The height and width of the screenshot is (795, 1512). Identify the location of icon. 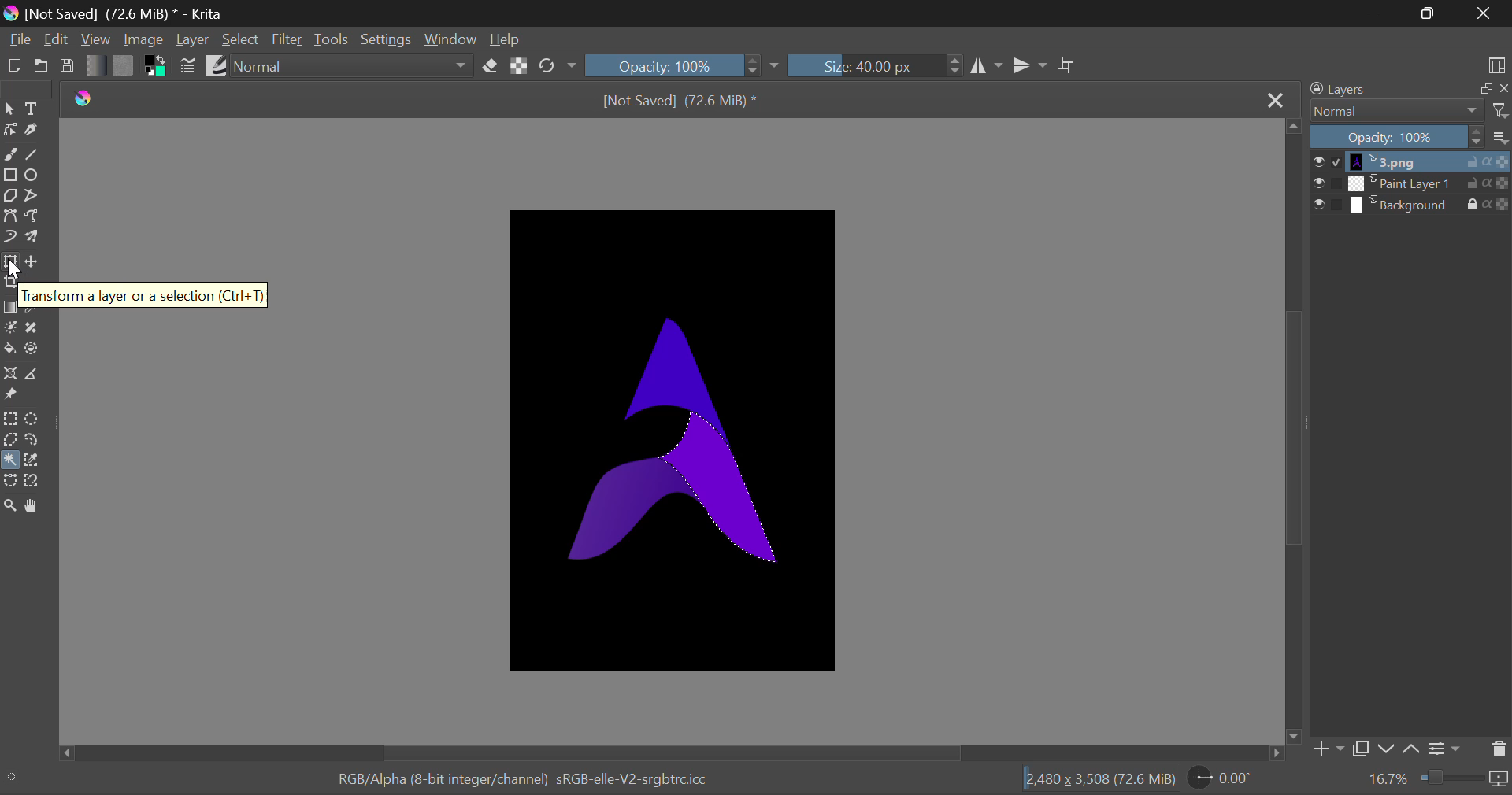
(1499, 778).